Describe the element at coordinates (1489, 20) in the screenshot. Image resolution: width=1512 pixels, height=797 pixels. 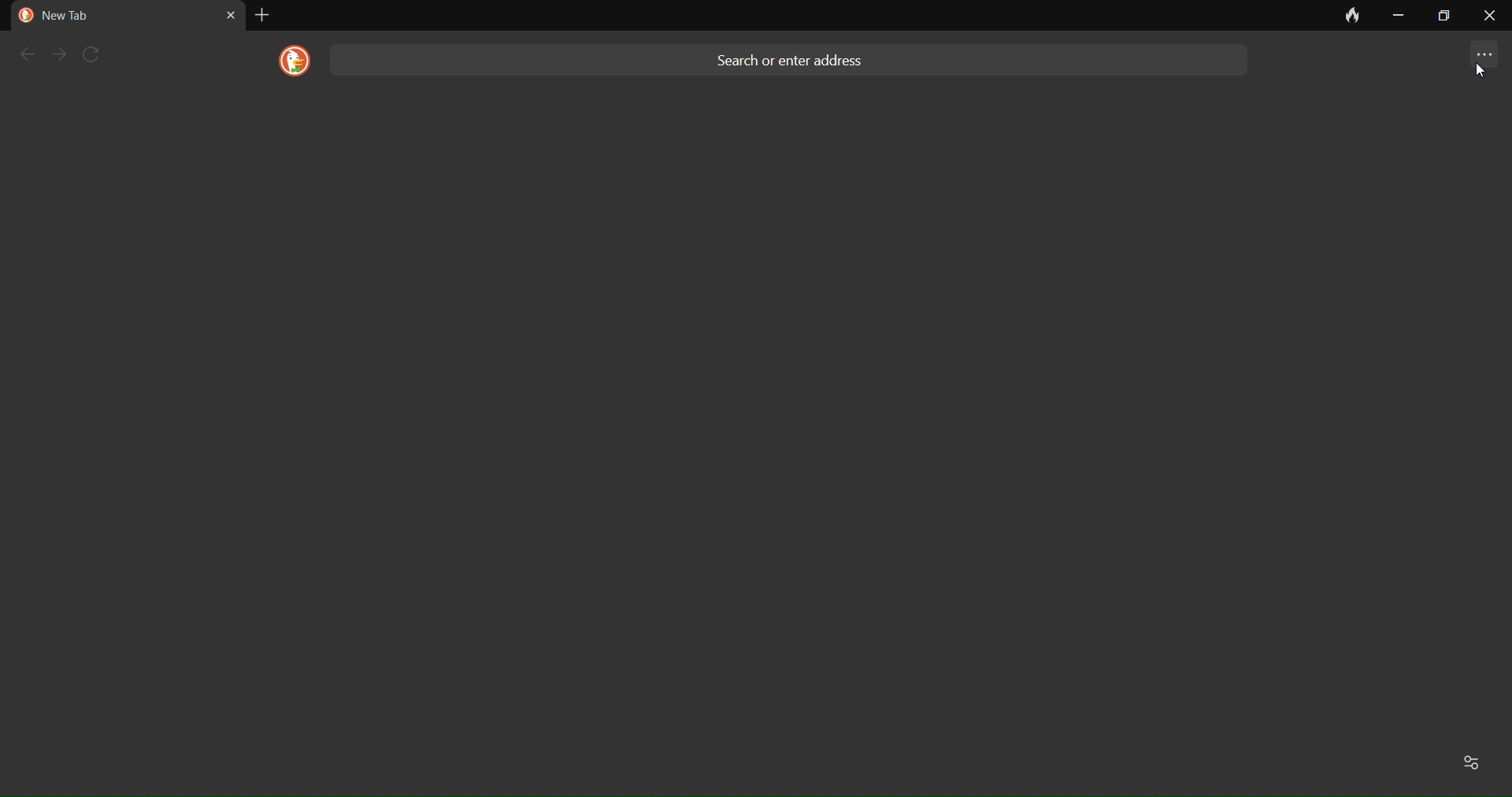
I see `close` at that location.